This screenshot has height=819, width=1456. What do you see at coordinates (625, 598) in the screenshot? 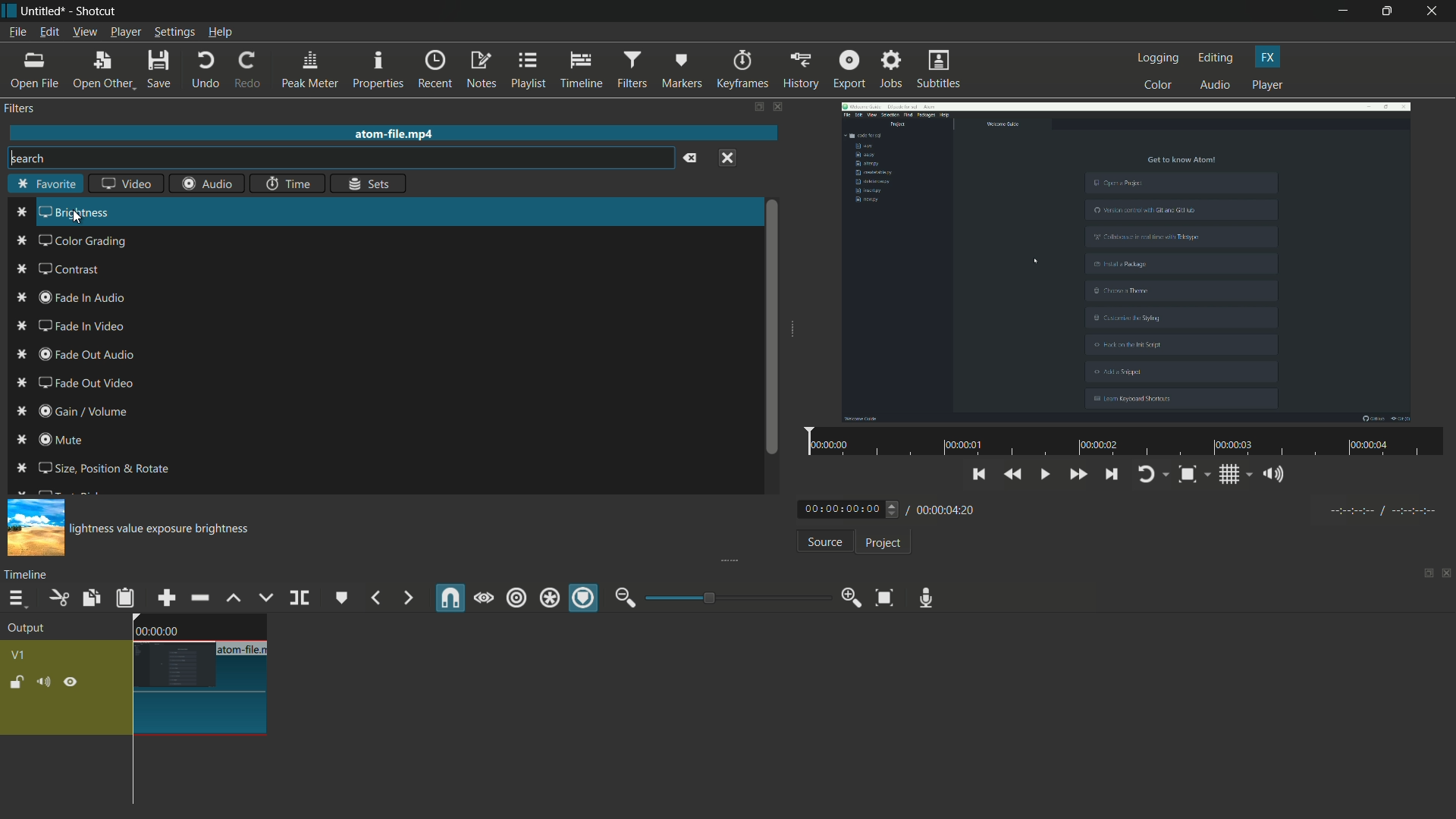
I see `zoom out` at bounding box center [625, 598].